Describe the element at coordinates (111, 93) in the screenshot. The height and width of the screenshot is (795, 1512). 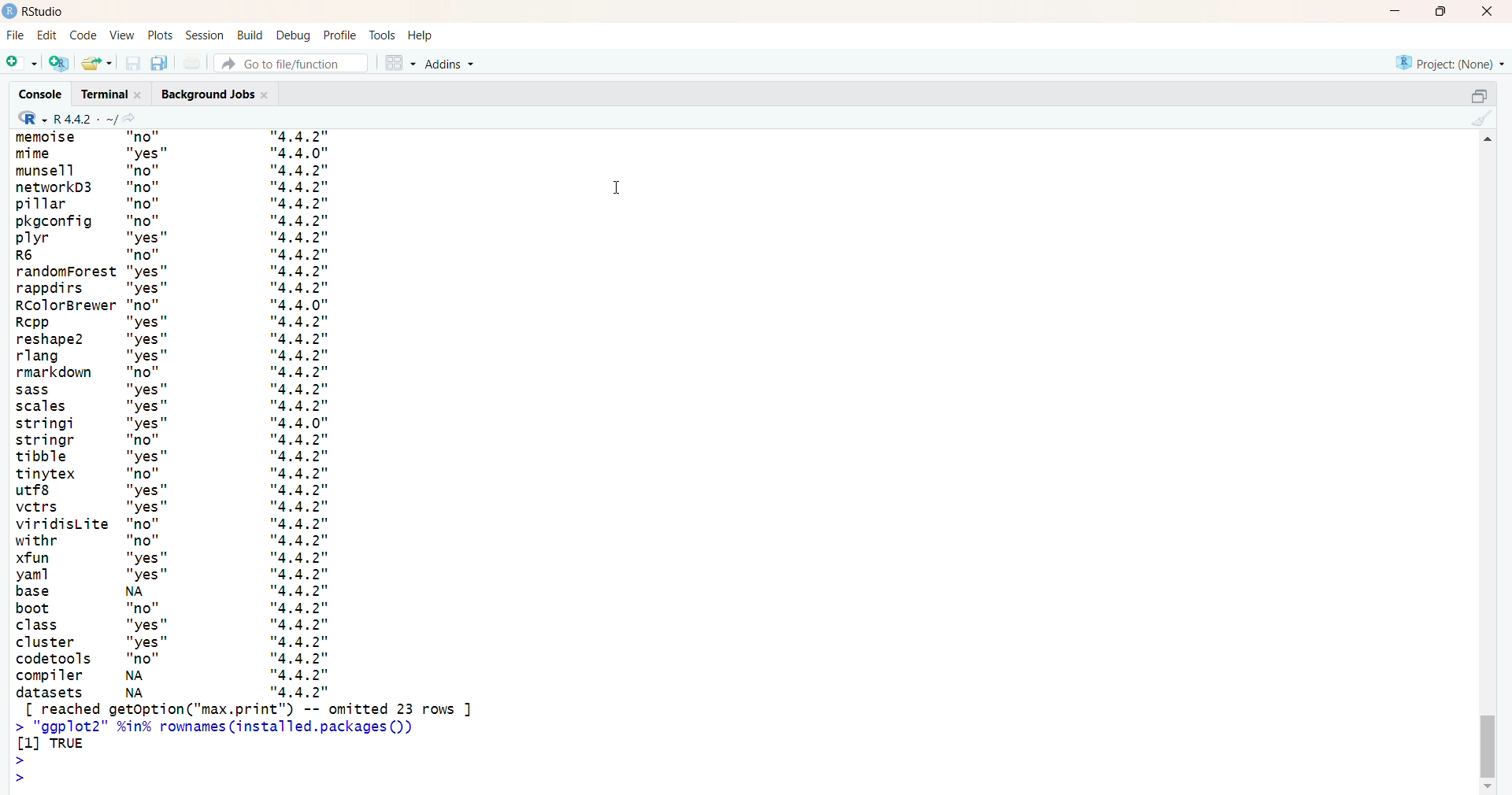
I see `terminal` at that location.